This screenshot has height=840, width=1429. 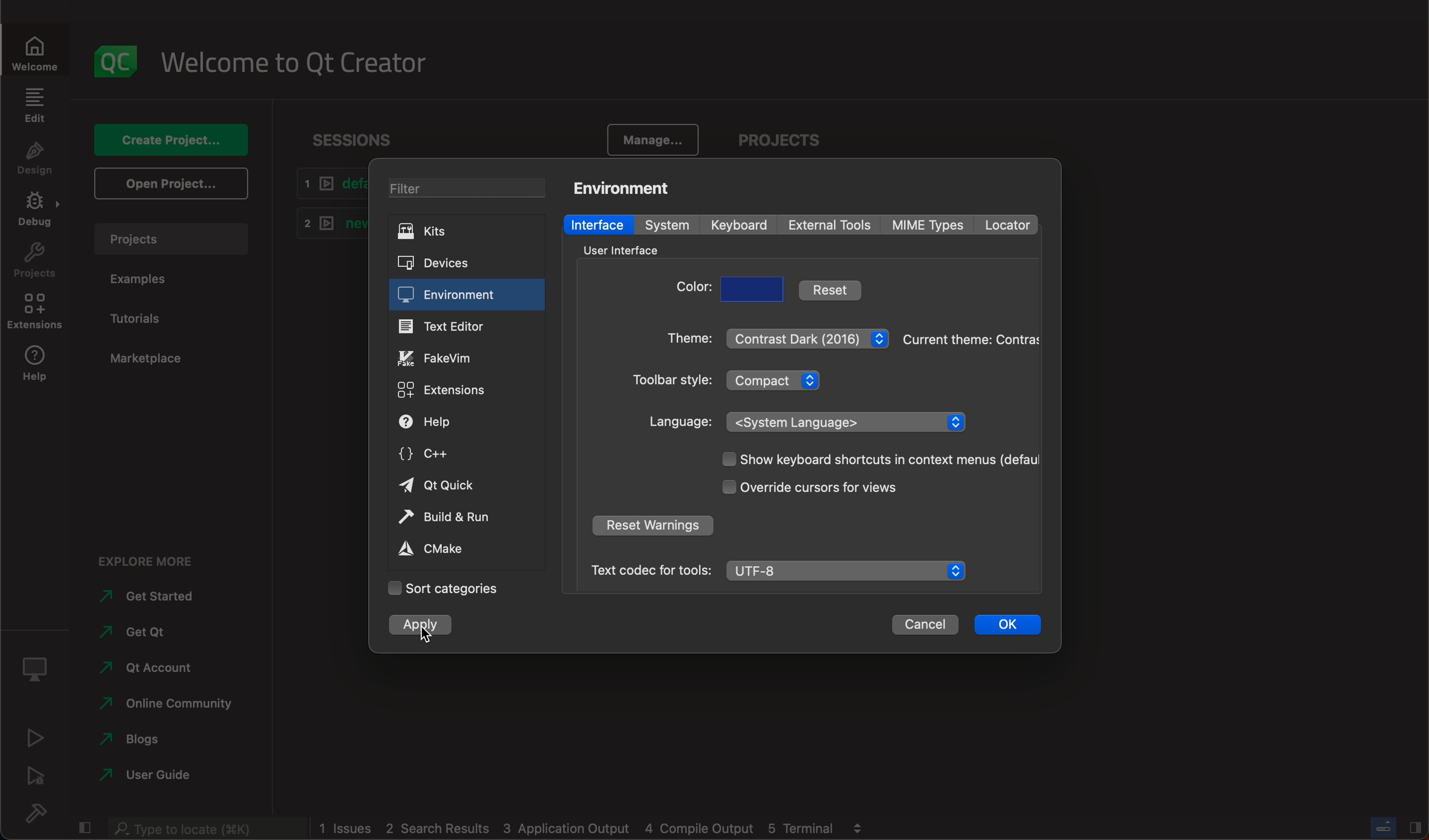 I want to click on debug, so click(x=39, y=665).